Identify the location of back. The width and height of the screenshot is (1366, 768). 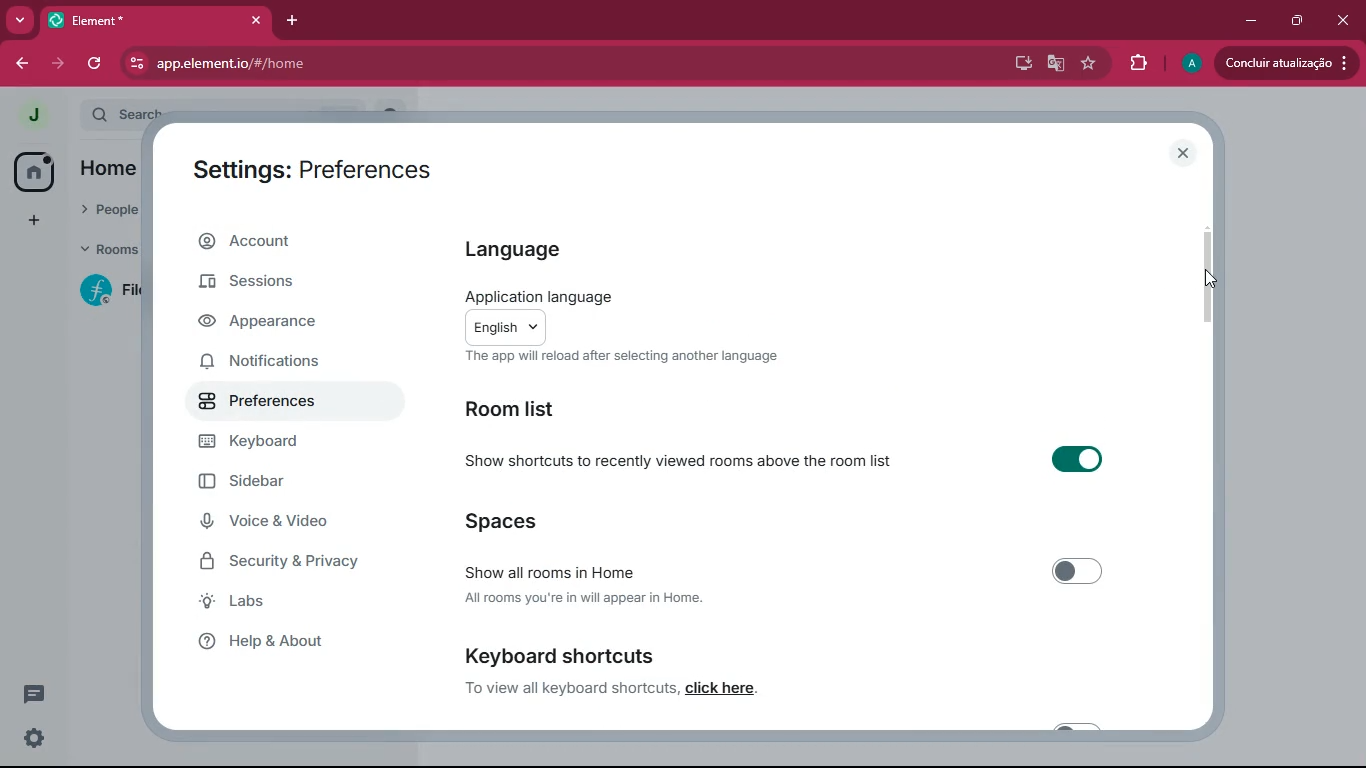
(21, 65).